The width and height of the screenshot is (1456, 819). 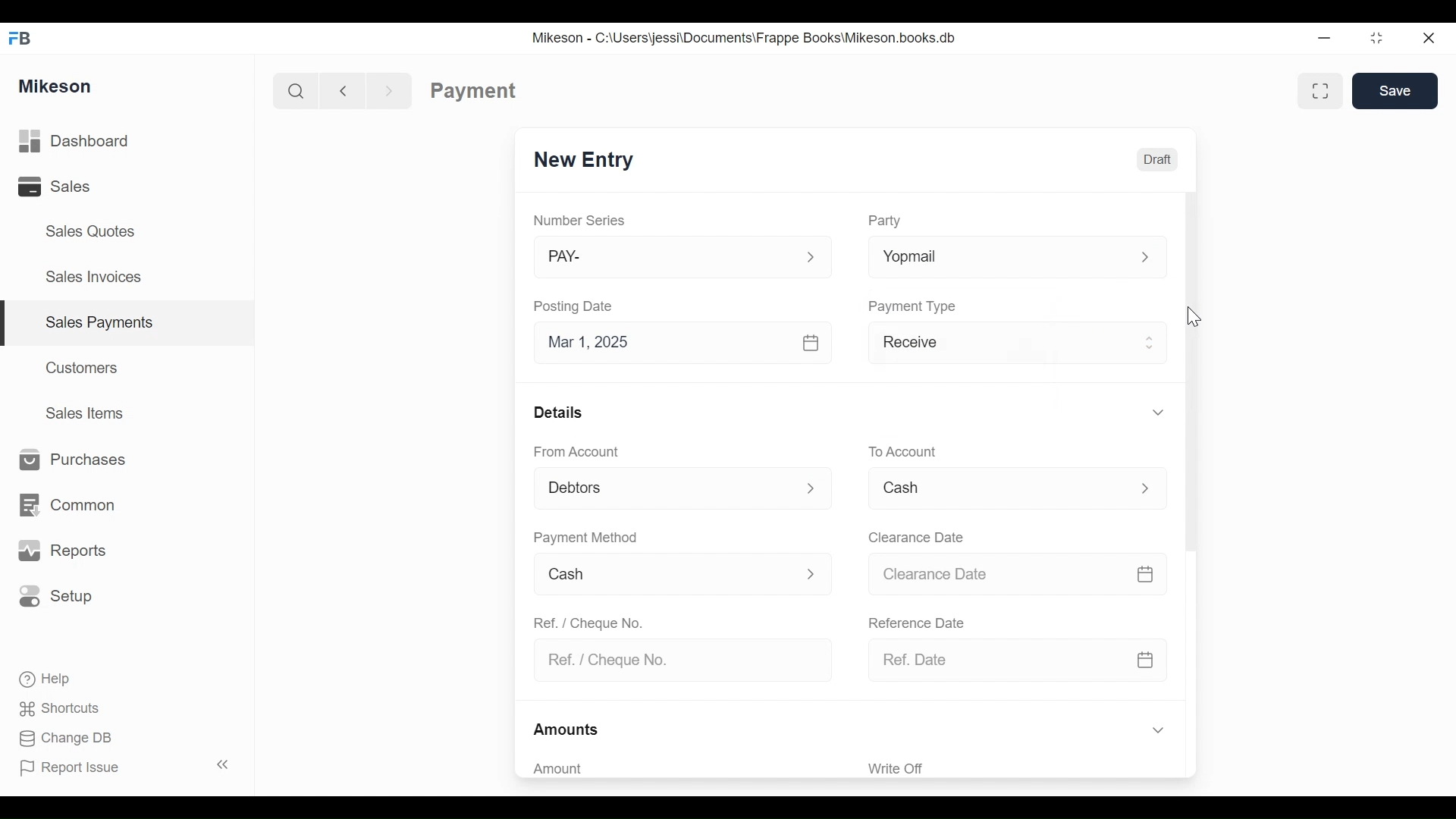 I want to click on cursor, so click(x=1194, y=319).